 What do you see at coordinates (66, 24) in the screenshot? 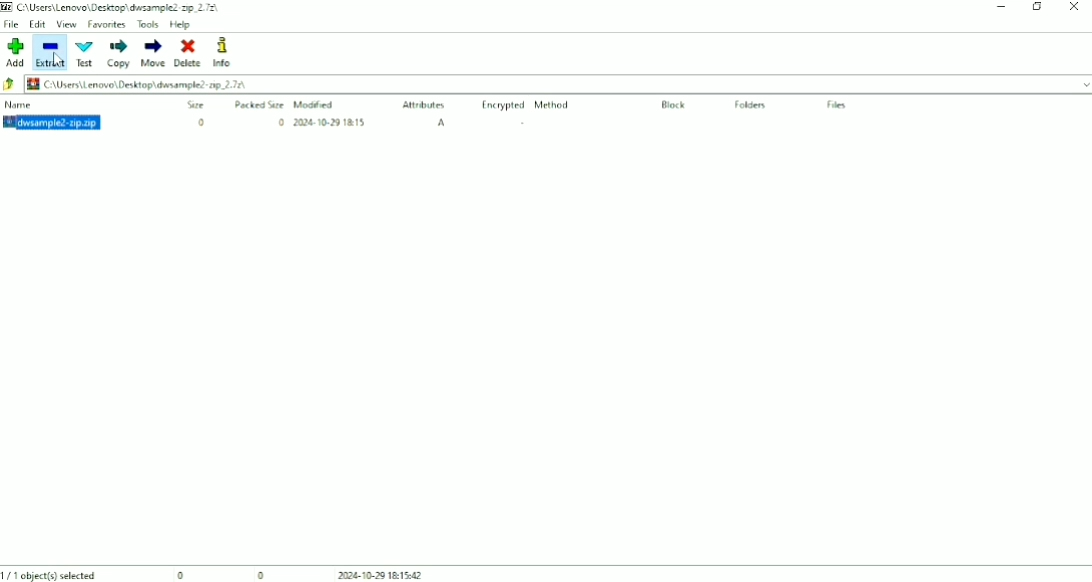
I see `View` at bounding box center [66, 24].